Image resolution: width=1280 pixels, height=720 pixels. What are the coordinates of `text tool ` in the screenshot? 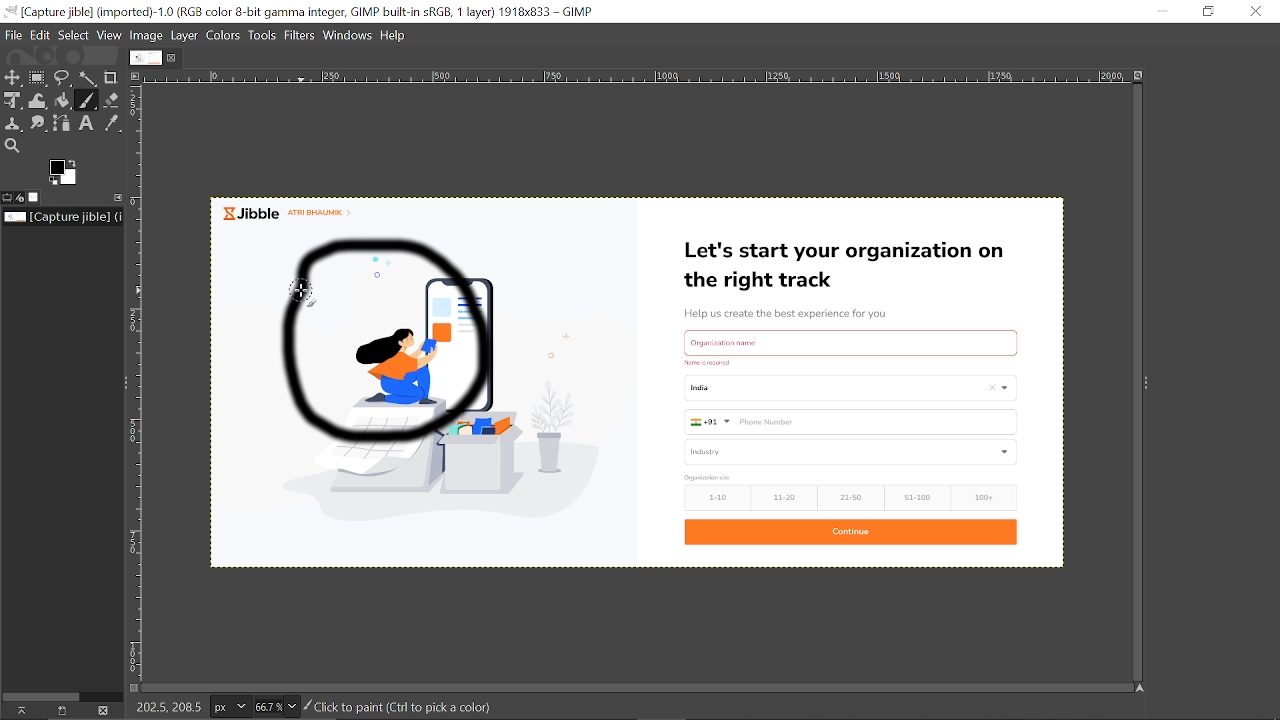 It's located at (88, 124).